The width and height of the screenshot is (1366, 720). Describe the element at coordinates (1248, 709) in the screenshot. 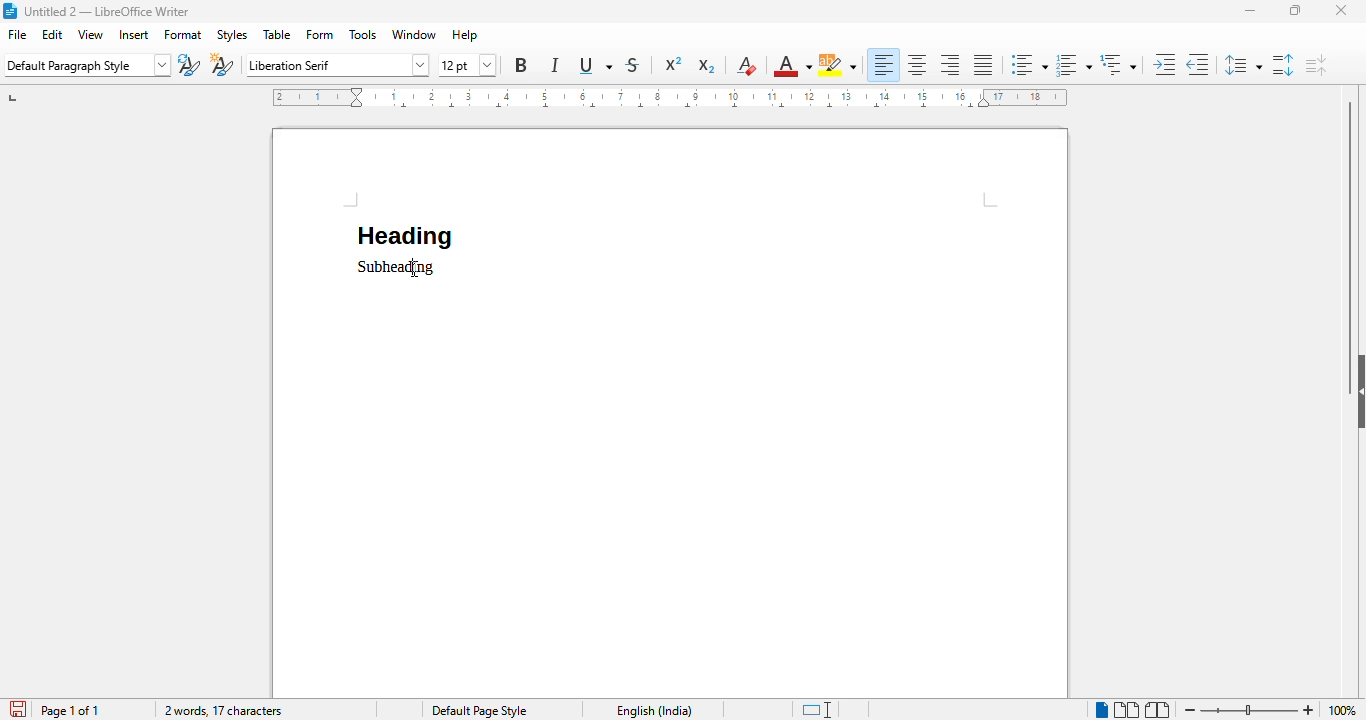

I see `zoom in or zoom out` at that location.